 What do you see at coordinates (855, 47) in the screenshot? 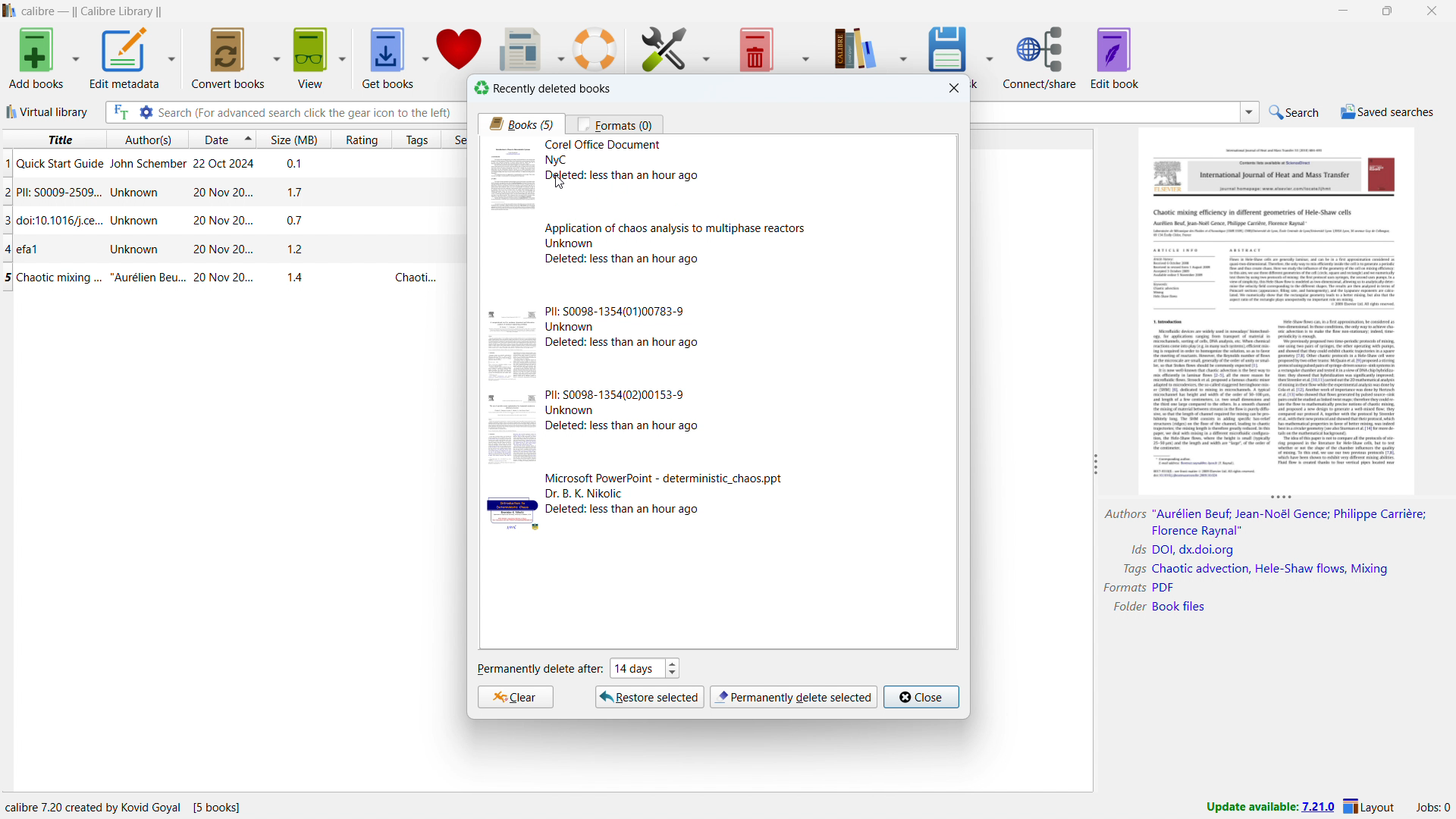
I see `calibre library` at bounding box center [855, 47].